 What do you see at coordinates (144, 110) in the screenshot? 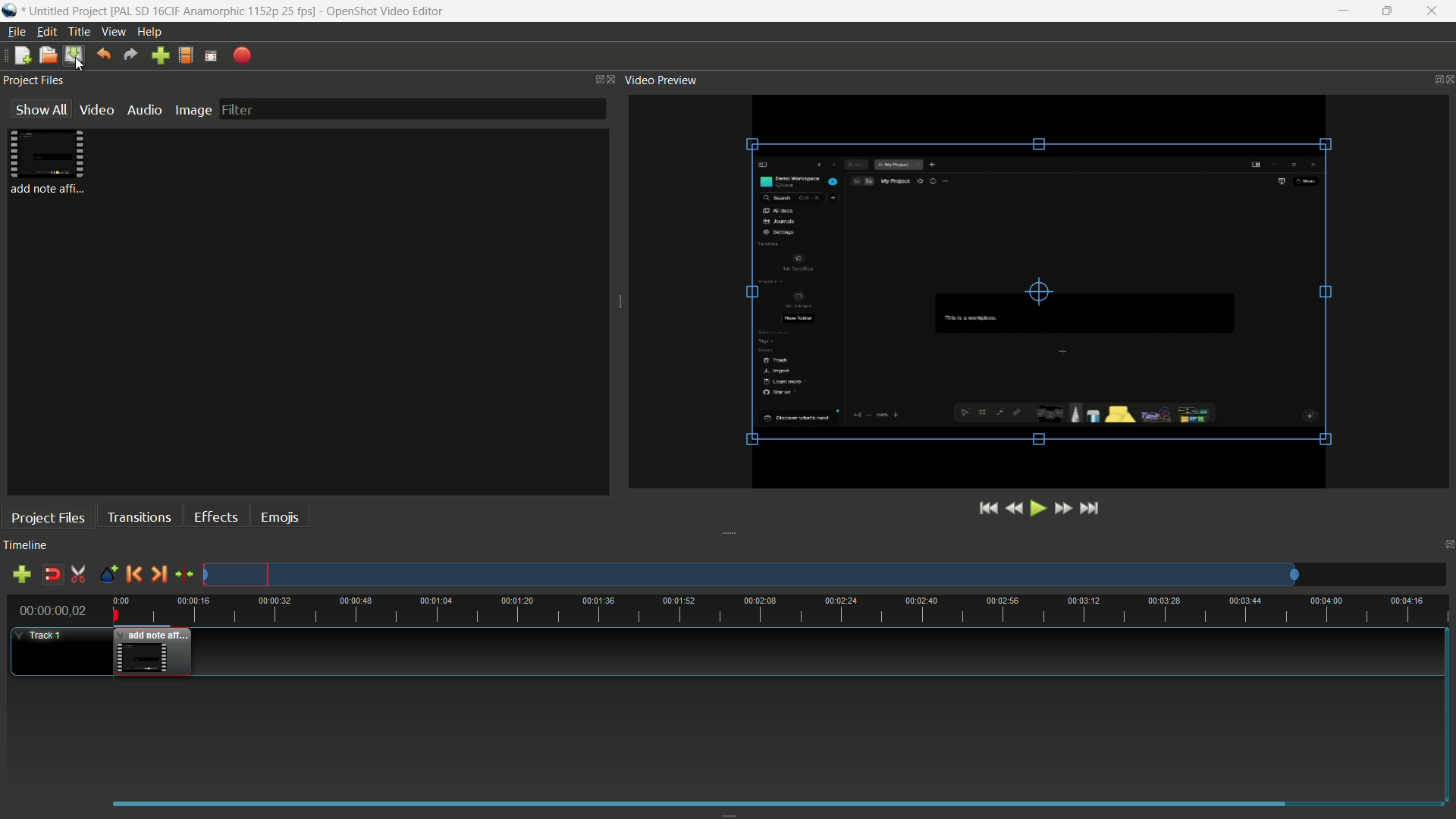
I see `audio` at bounding box center [144, 110].